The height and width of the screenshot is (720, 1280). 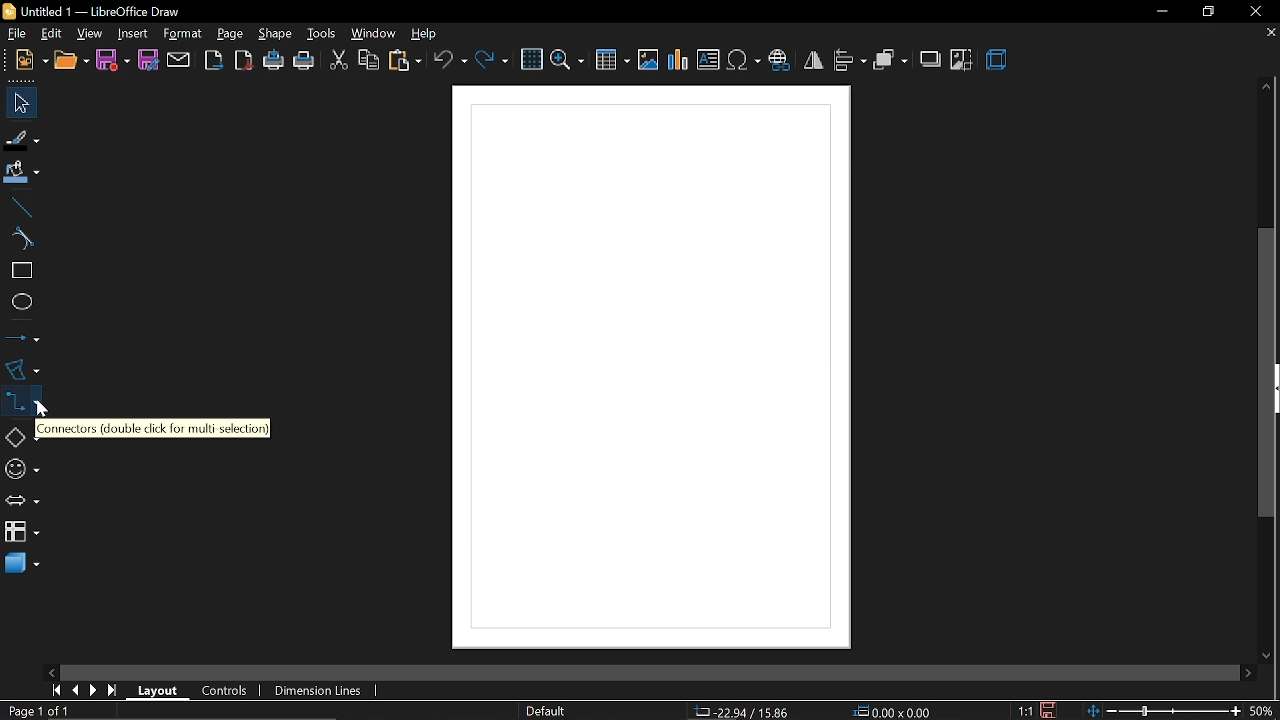 I want to click on current zoom, so click(x=1264, y=711).